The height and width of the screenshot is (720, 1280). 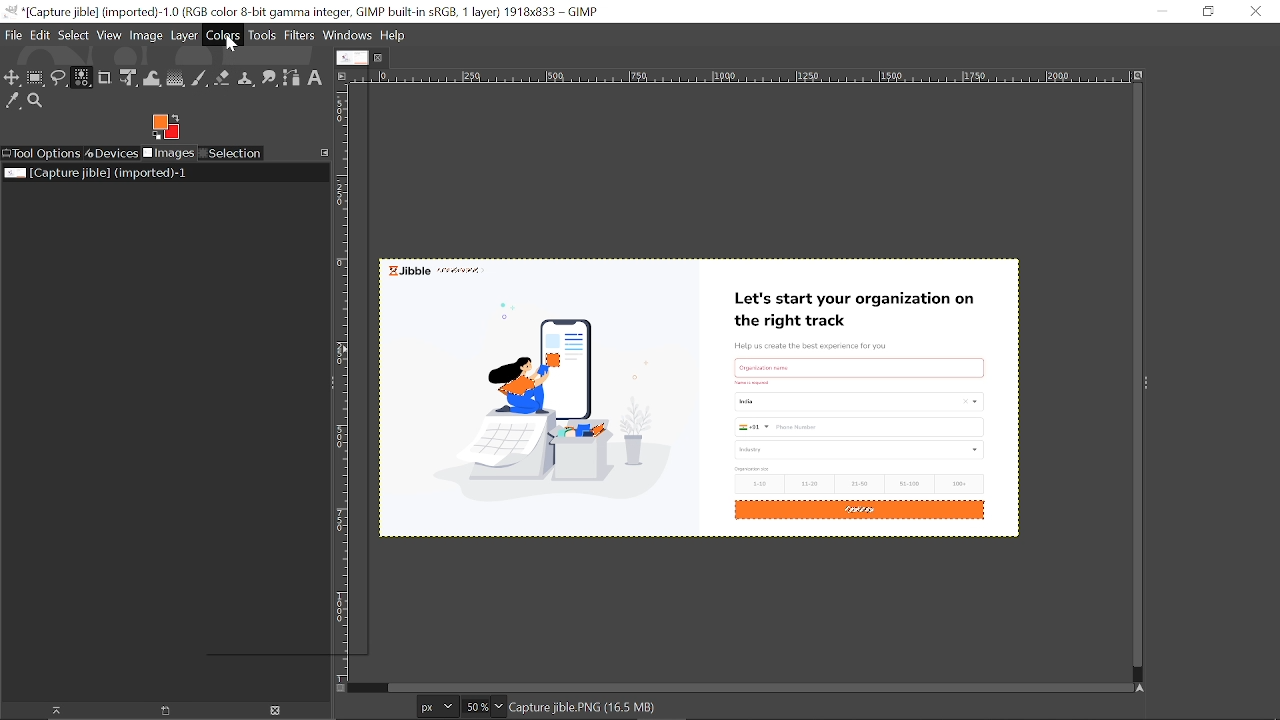 I want to click on Vertical scrollbar, so click(x=1133, y=377).